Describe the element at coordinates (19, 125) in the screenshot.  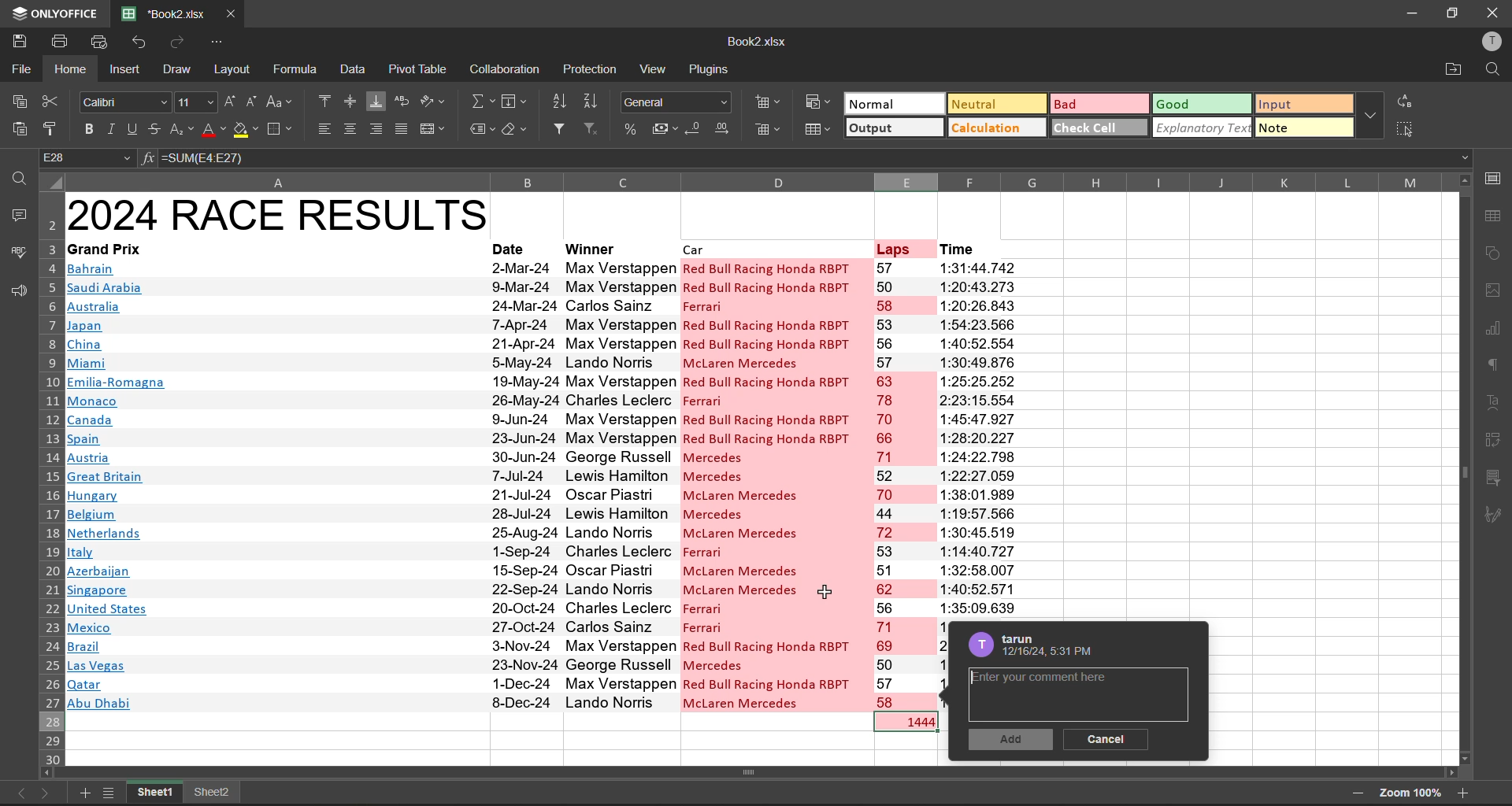
I see `paste` at that location.